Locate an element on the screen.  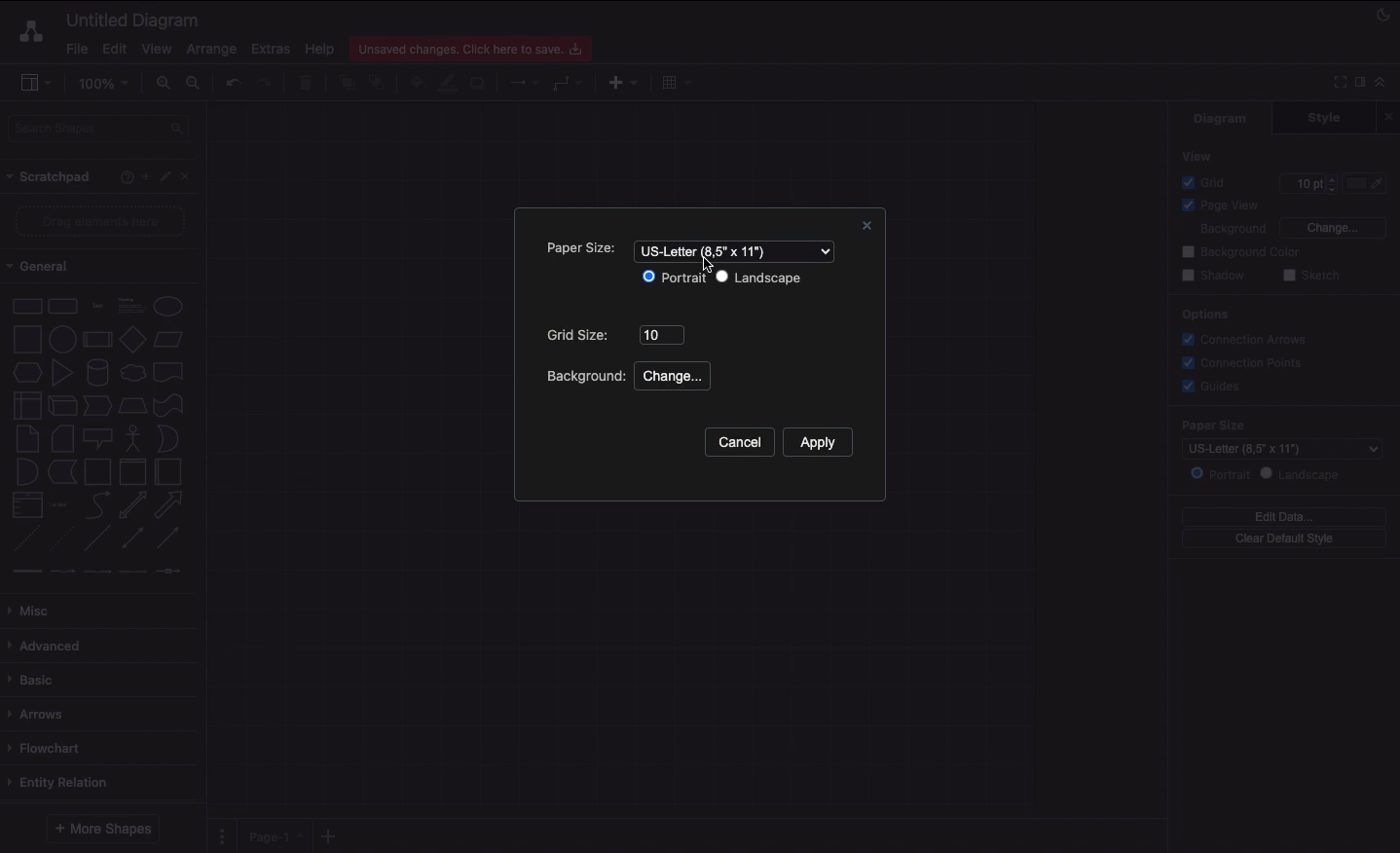
Portrait is located at coordinates (673, 278).